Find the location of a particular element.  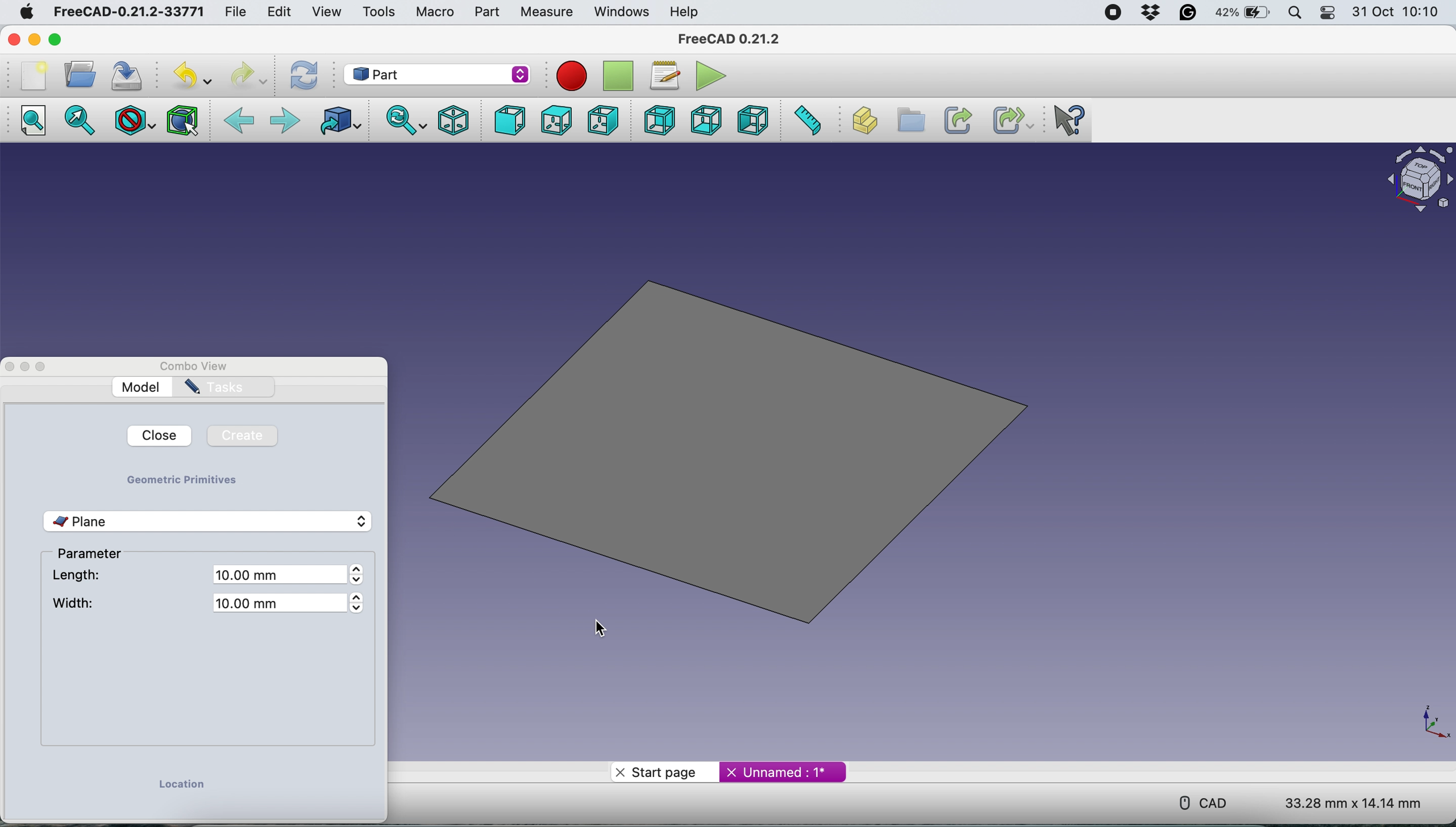

Screen recorder is located at coordinates (1115, 12).